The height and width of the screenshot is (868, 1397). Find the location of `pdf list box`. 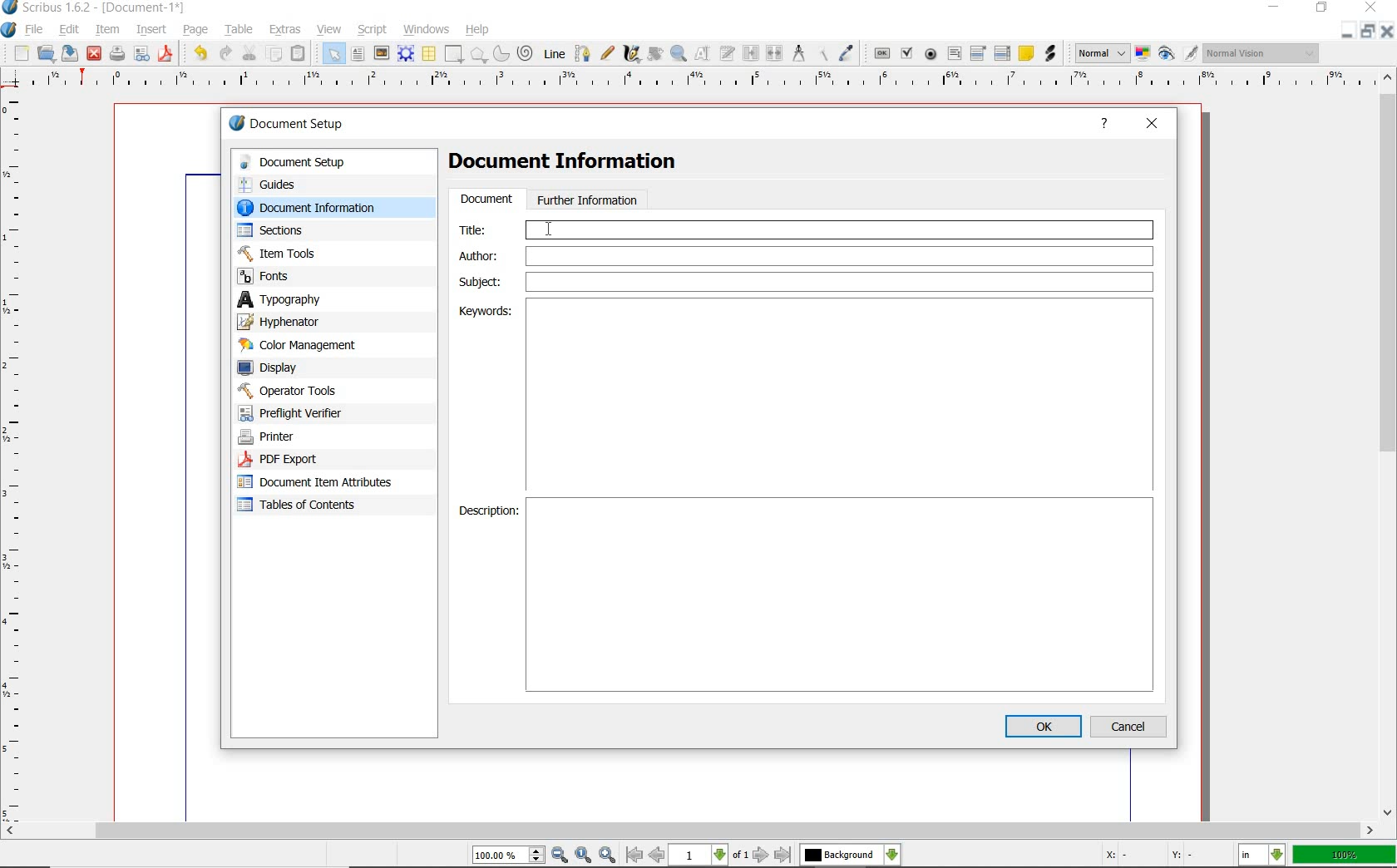

pdf list box is located at coordinates (1001, 53).